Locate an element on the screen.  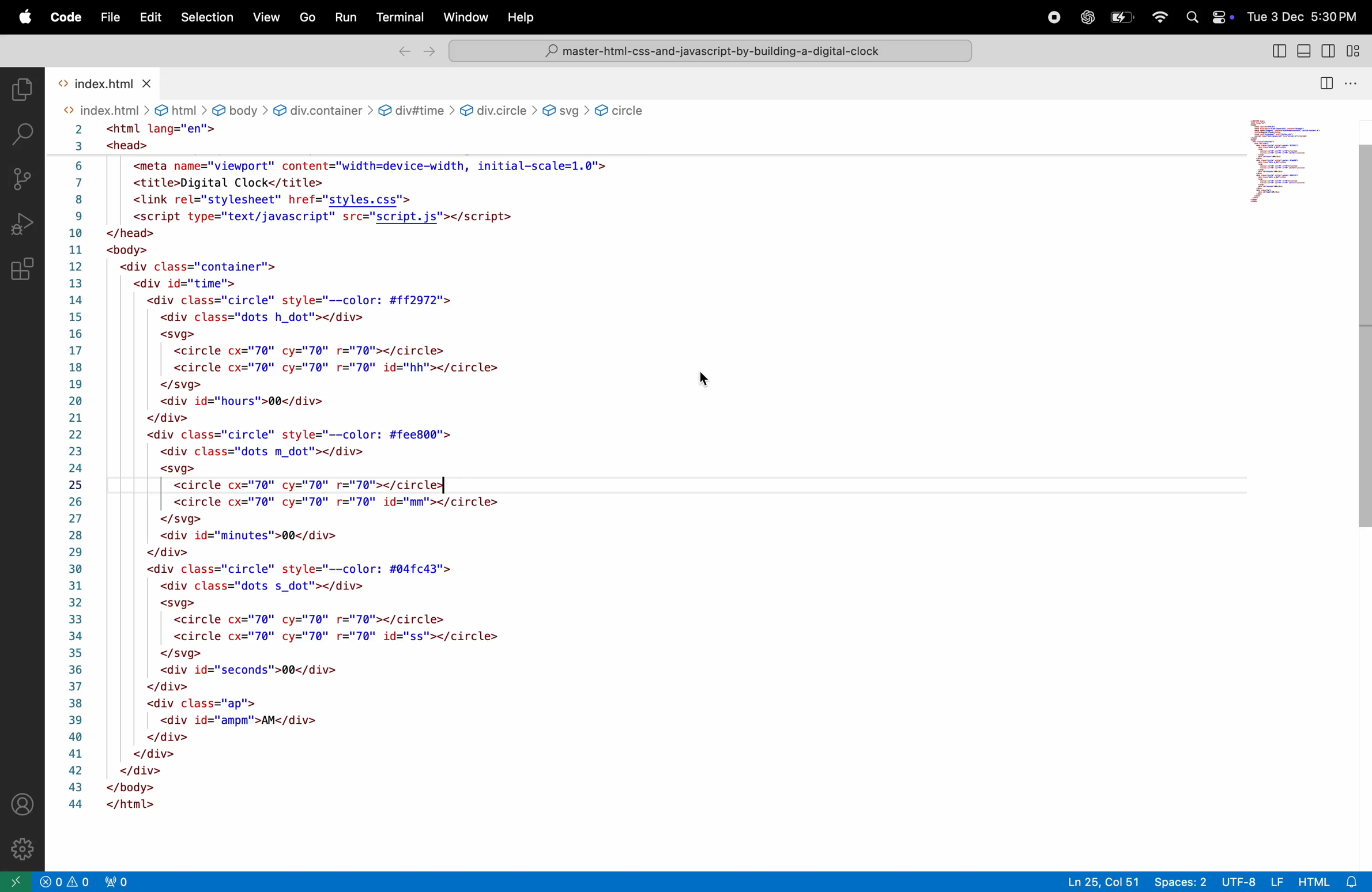
toggle primary sidebar is located at coordinates (1279, 51).